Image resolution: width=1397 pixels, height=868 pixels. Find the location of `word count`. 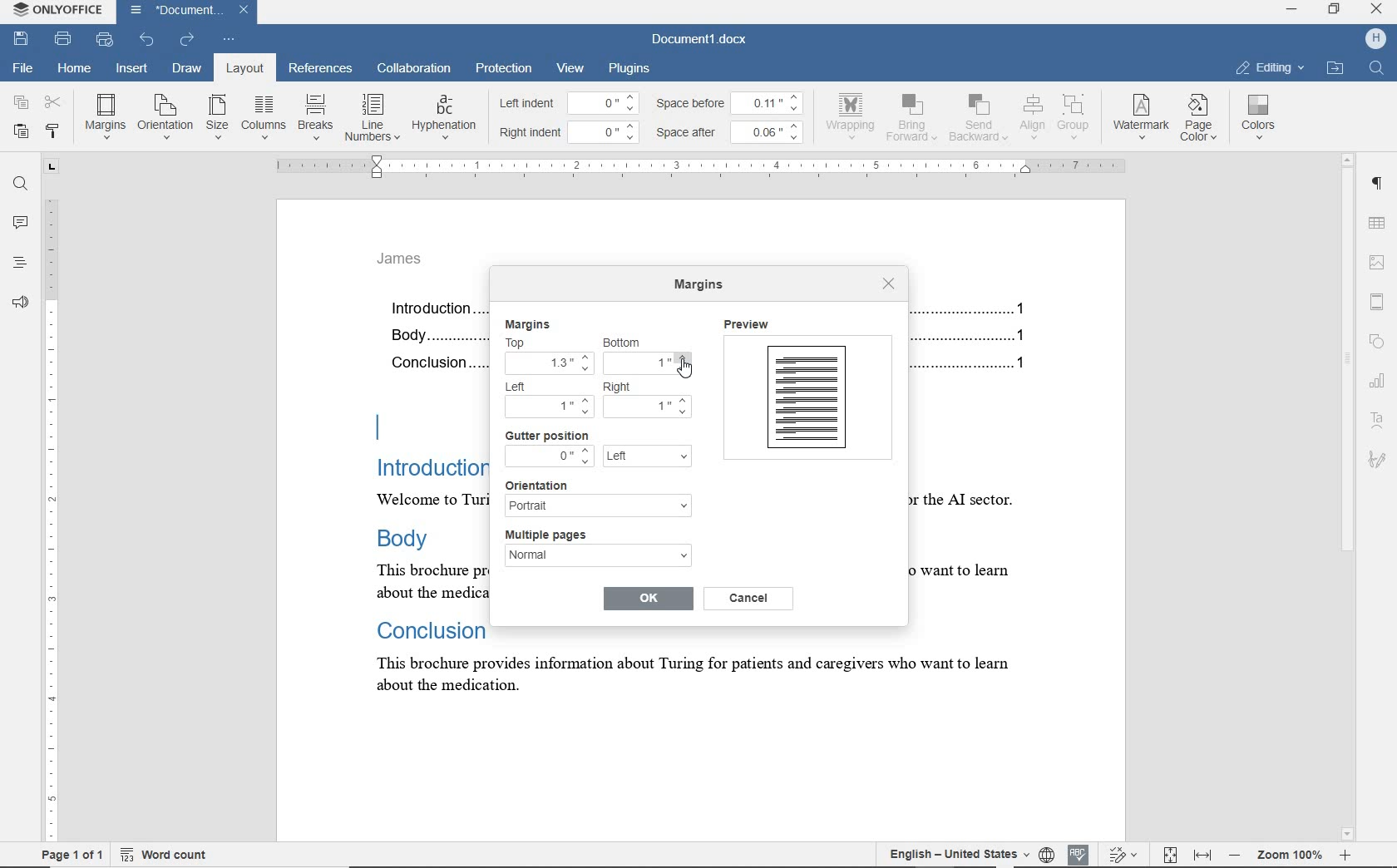

word count is located at coordinates (164, 855).